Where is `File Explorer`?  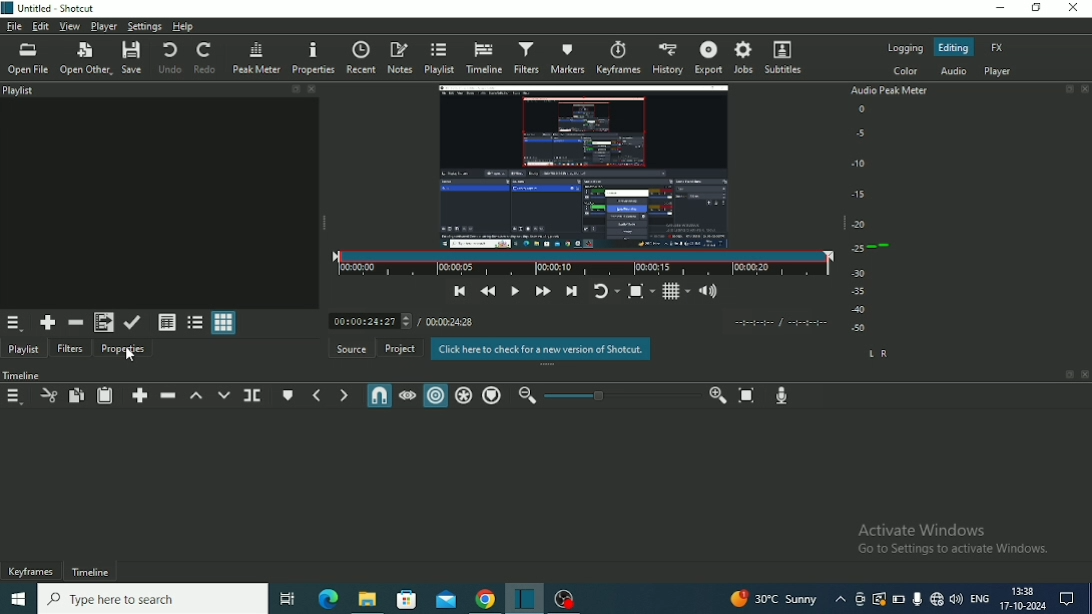
File Explorer is located at coordinates (367, 600).